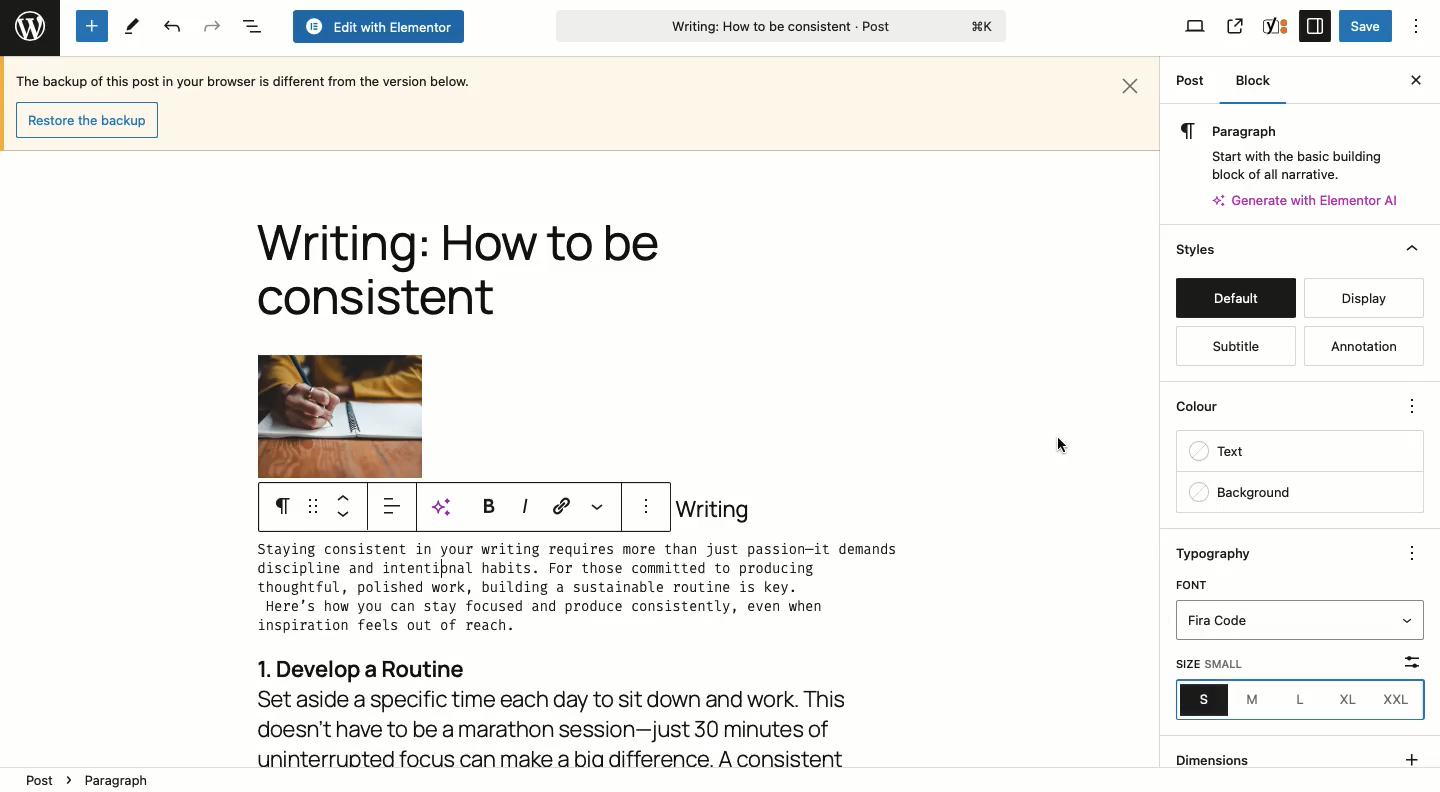 This screenshot has width=1440, height=792. What do you see at coordinates (486, 505) in the screenshot?
I see `Bold` at bounding box center [486, 505].